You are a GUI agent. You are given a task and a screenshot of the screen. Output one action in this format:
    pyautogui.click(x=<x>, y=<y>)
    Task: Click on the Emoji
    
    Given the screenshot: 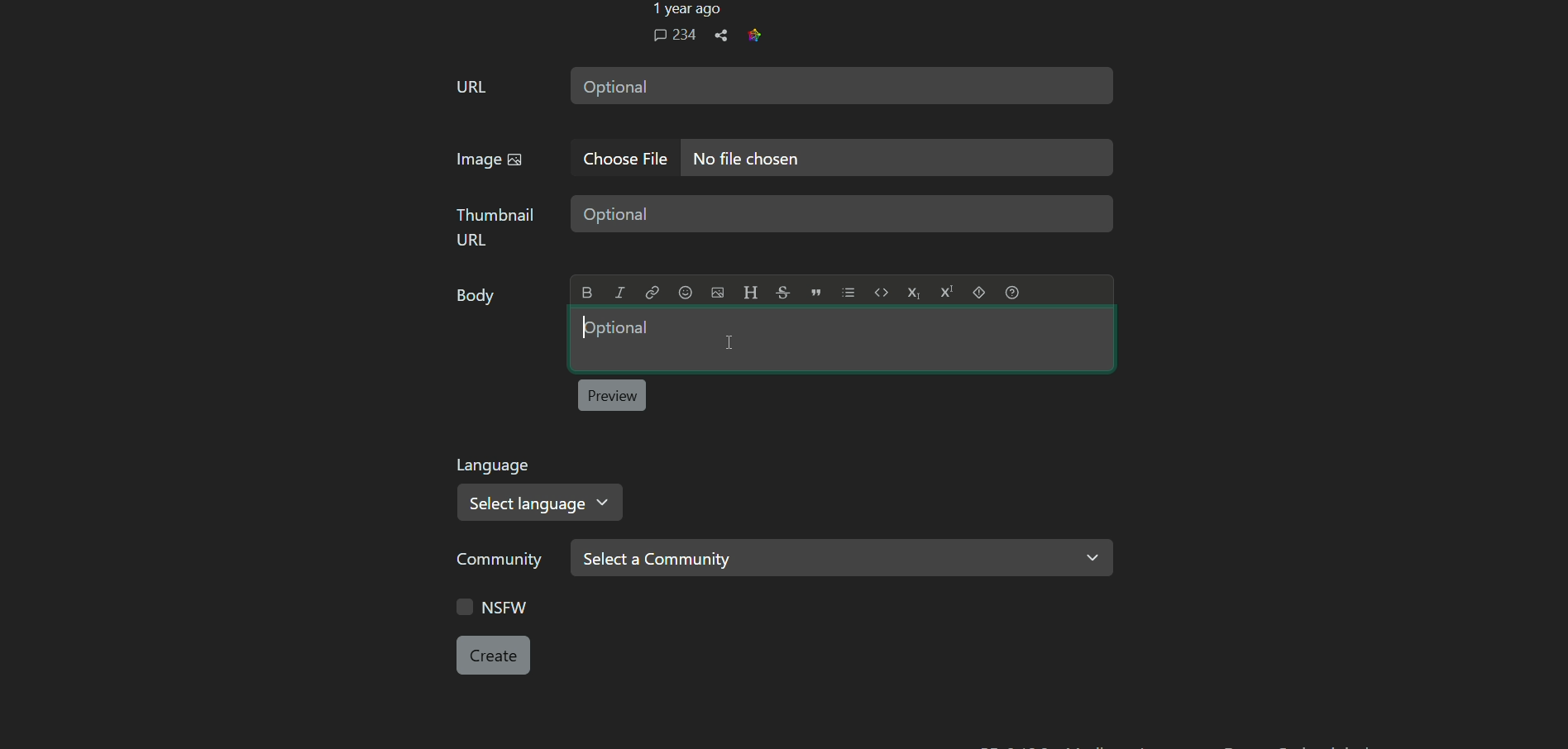 What is the action you would take?
    pyautogui.click(x=685, y=293)
    